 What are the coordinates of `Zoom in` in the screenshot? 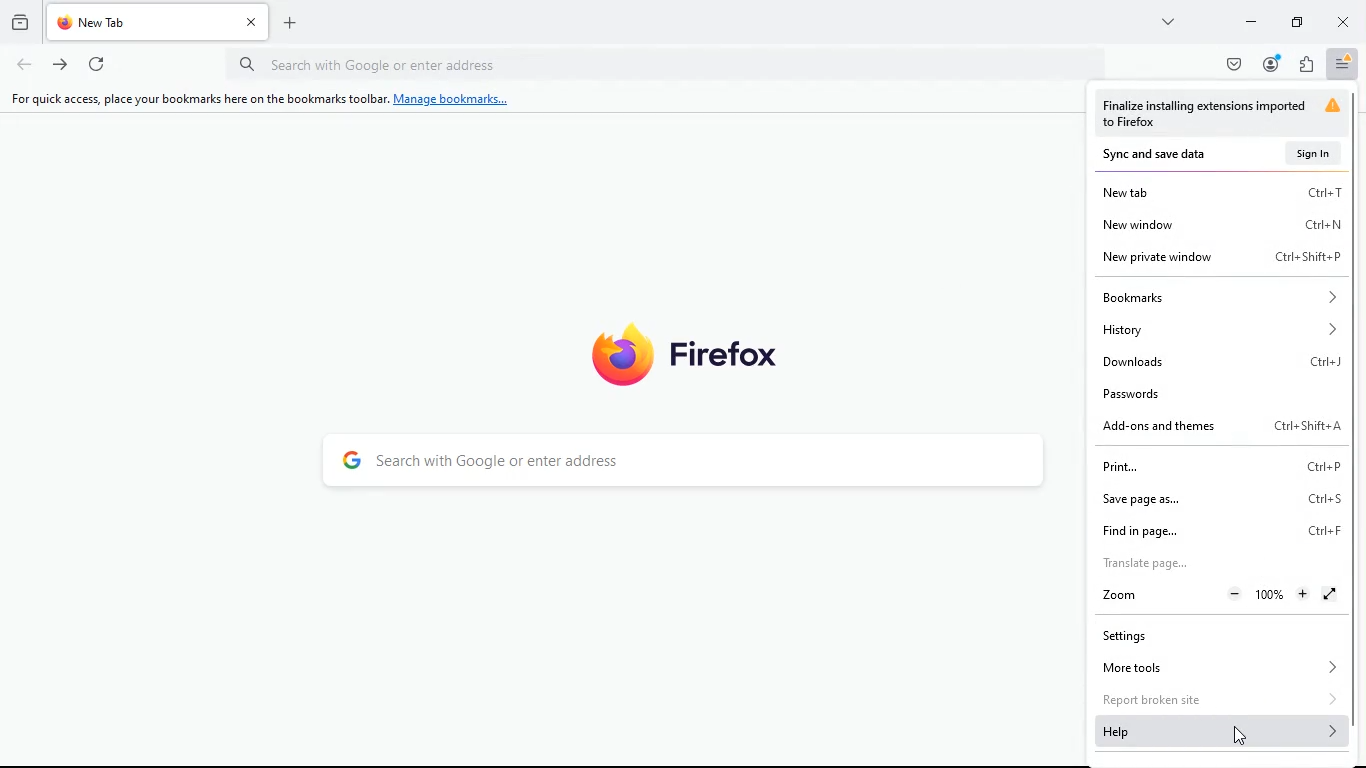 It's located at (1303, 594).